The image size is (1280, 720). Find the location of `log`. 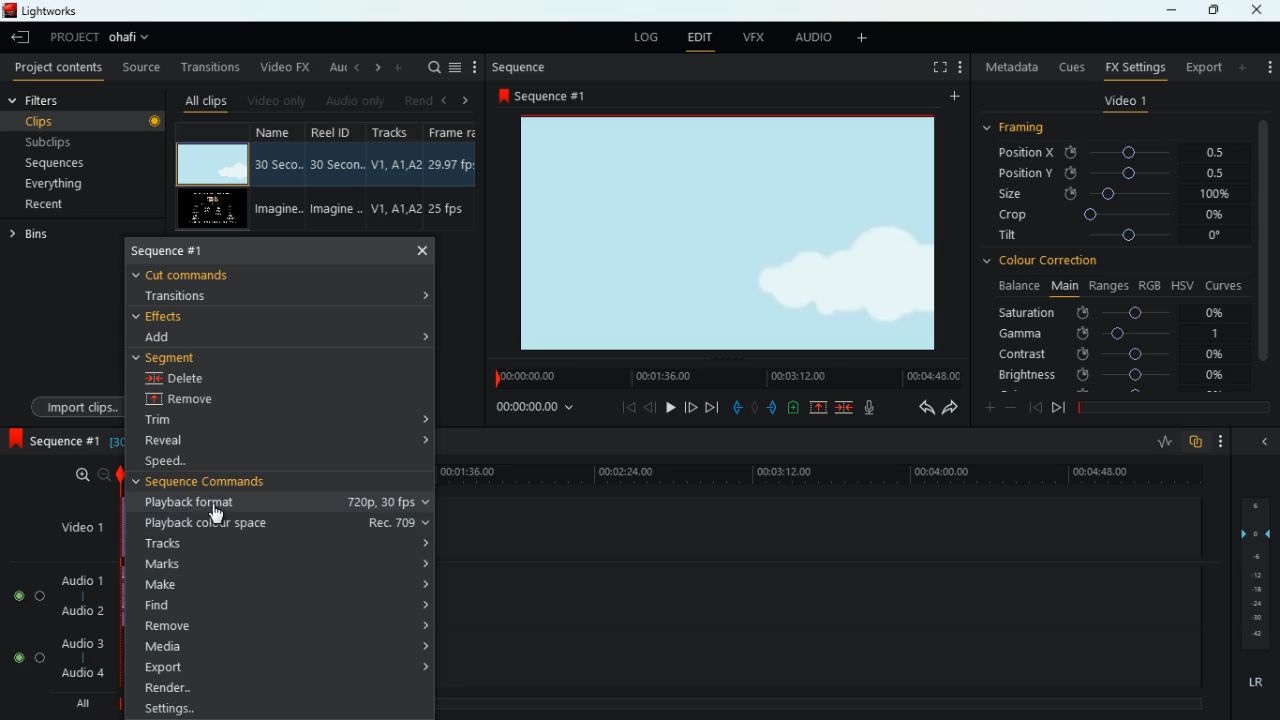

log is located at coordinates (642, 40).